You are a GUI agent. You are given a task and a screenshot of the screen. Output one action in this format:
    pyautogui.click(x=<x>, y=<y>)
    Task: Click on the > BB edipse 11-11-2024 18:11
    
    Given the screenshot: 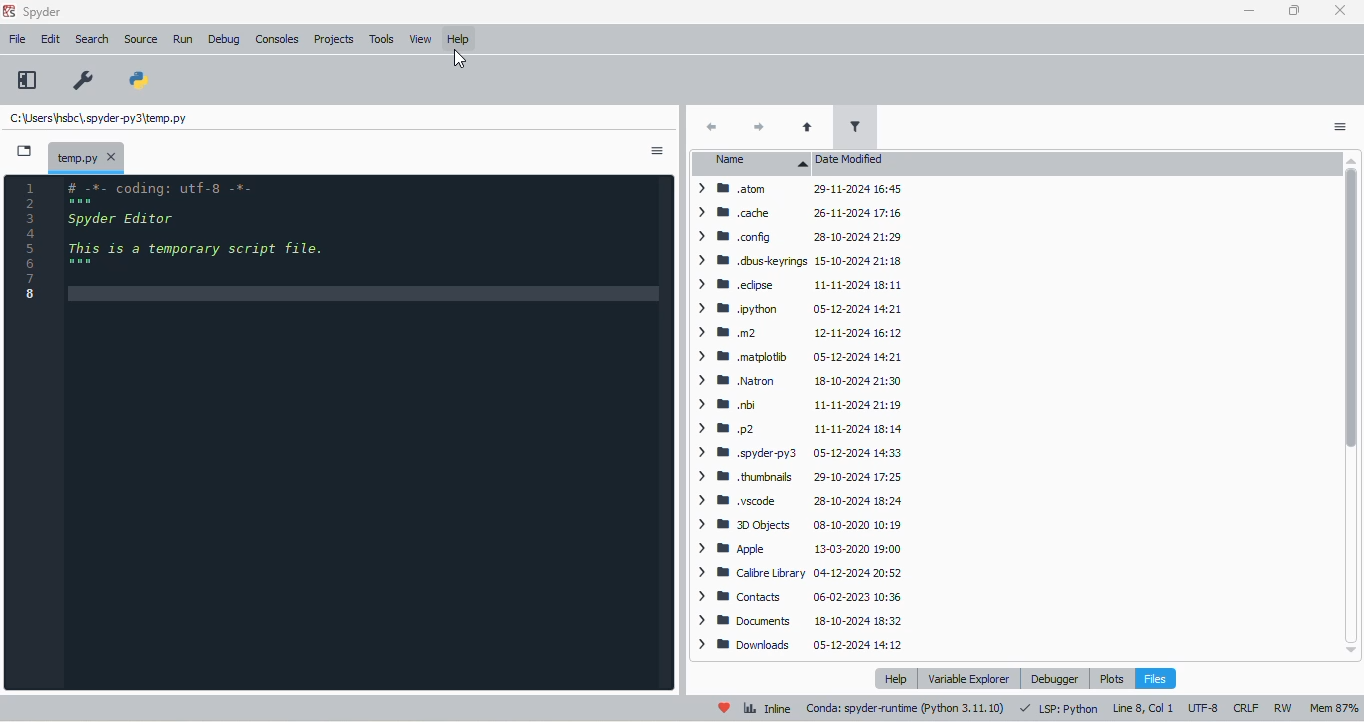 What is the action you would take?
    pyautogui.click(x=795, y=284)
    